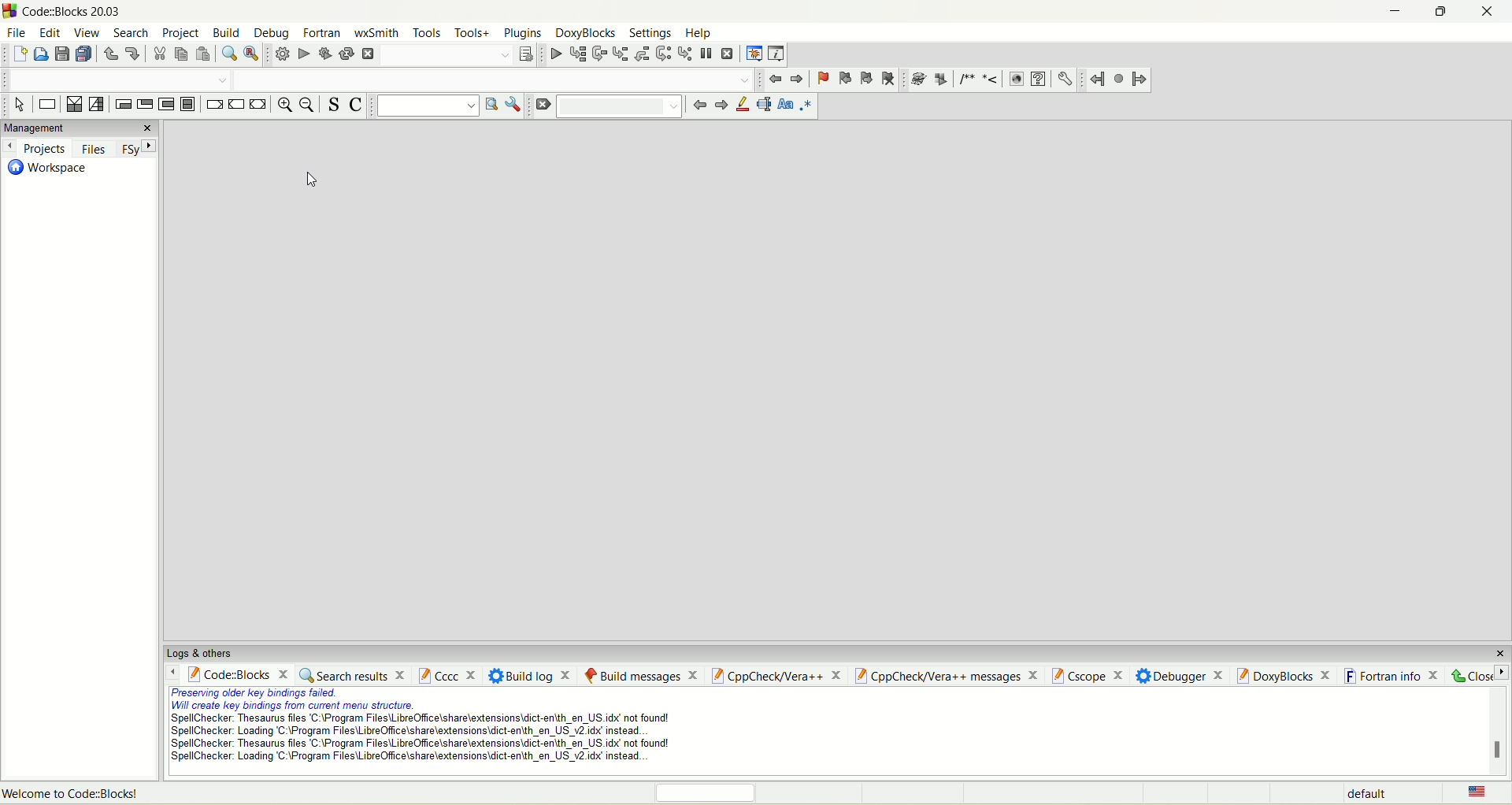  Describe the element at coordinates (47, 30) in the screenshot. I see `edit` at that location.